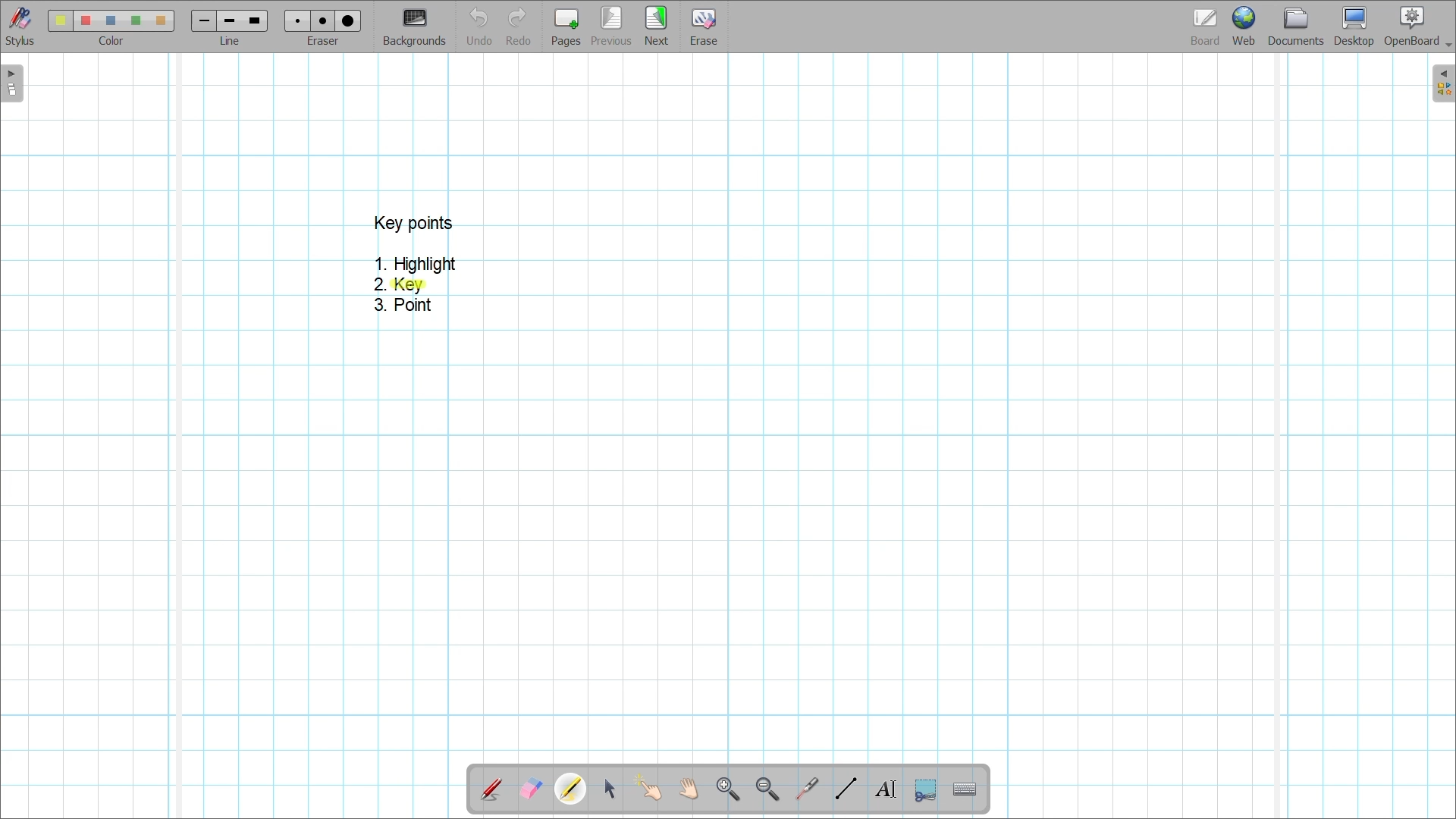  Describe the element at coordinates (480, 26) in the screenshot. I see `Undo` at that location.